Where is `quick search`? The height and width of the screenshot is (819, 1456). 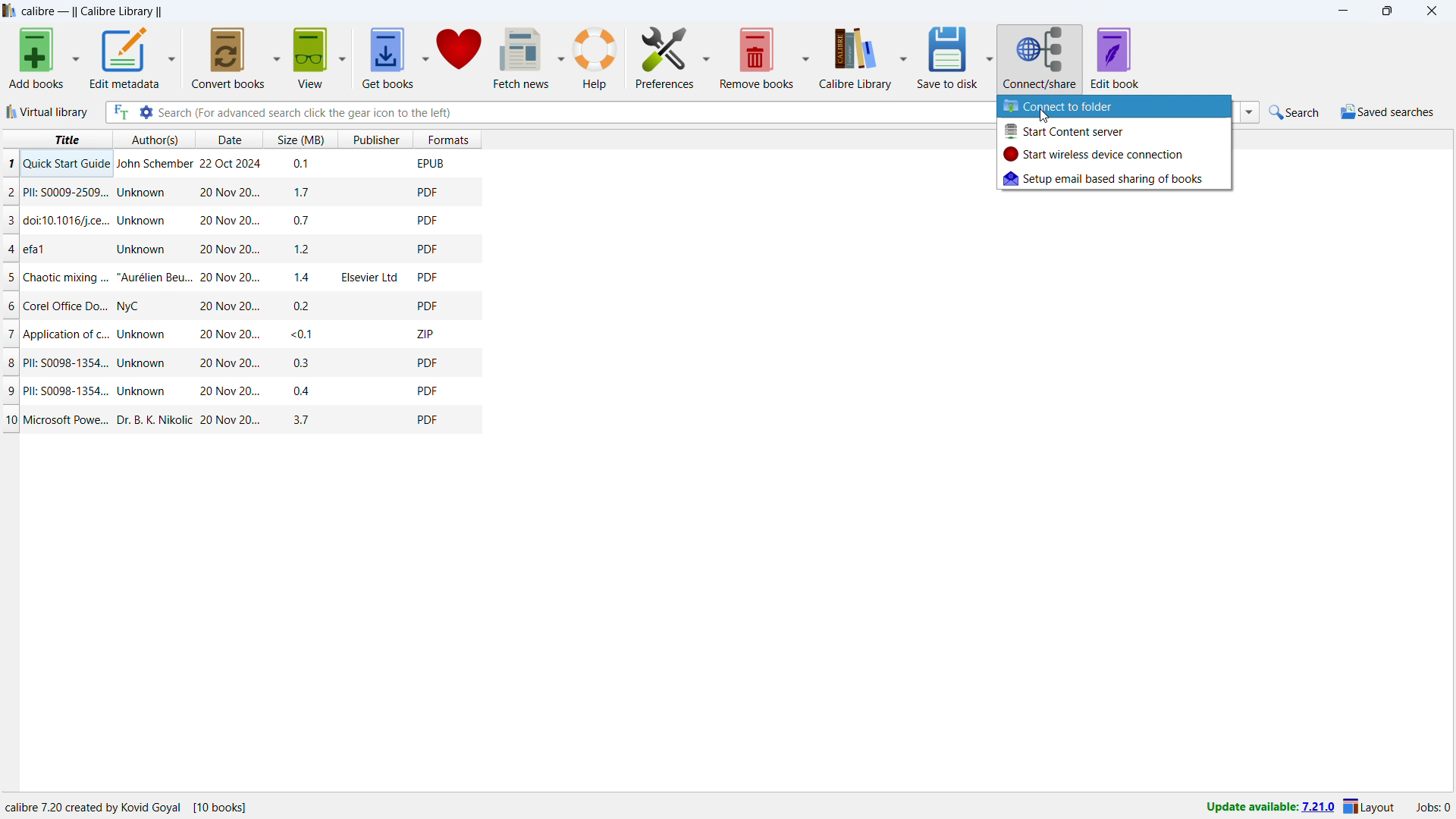
quick search is located at coordinates (1294, 112).